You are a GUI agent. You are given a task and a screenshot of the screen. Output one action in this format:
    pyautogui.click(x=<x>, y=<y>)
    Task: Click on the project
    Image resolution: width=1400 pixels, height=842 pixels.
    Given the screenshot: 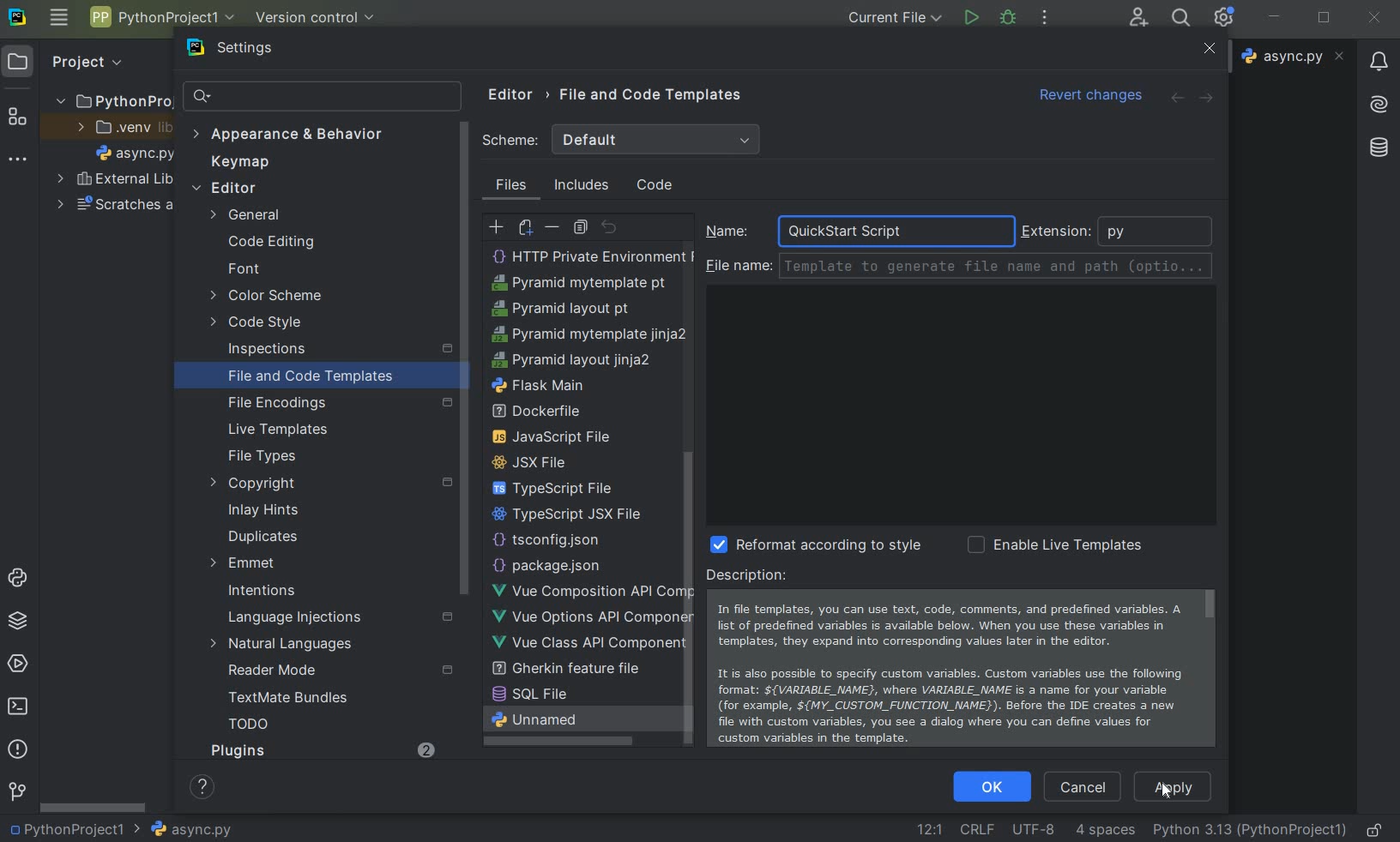 What is the action you would take?
    pyautogui.click(x=68, y=61)
    